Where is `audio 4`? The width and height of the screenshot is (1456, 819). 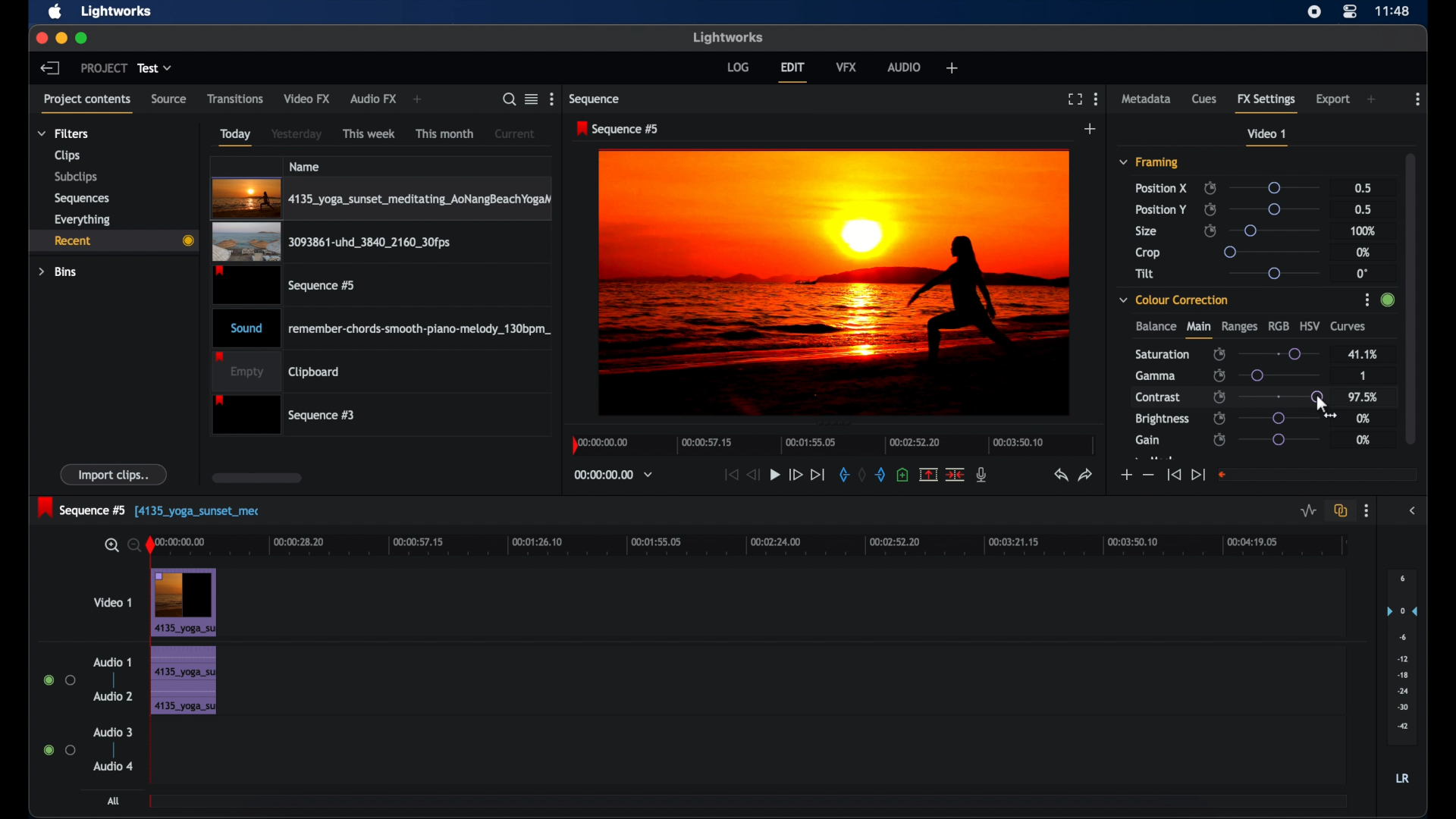 audio 4 is located at coordinates (112, 765).